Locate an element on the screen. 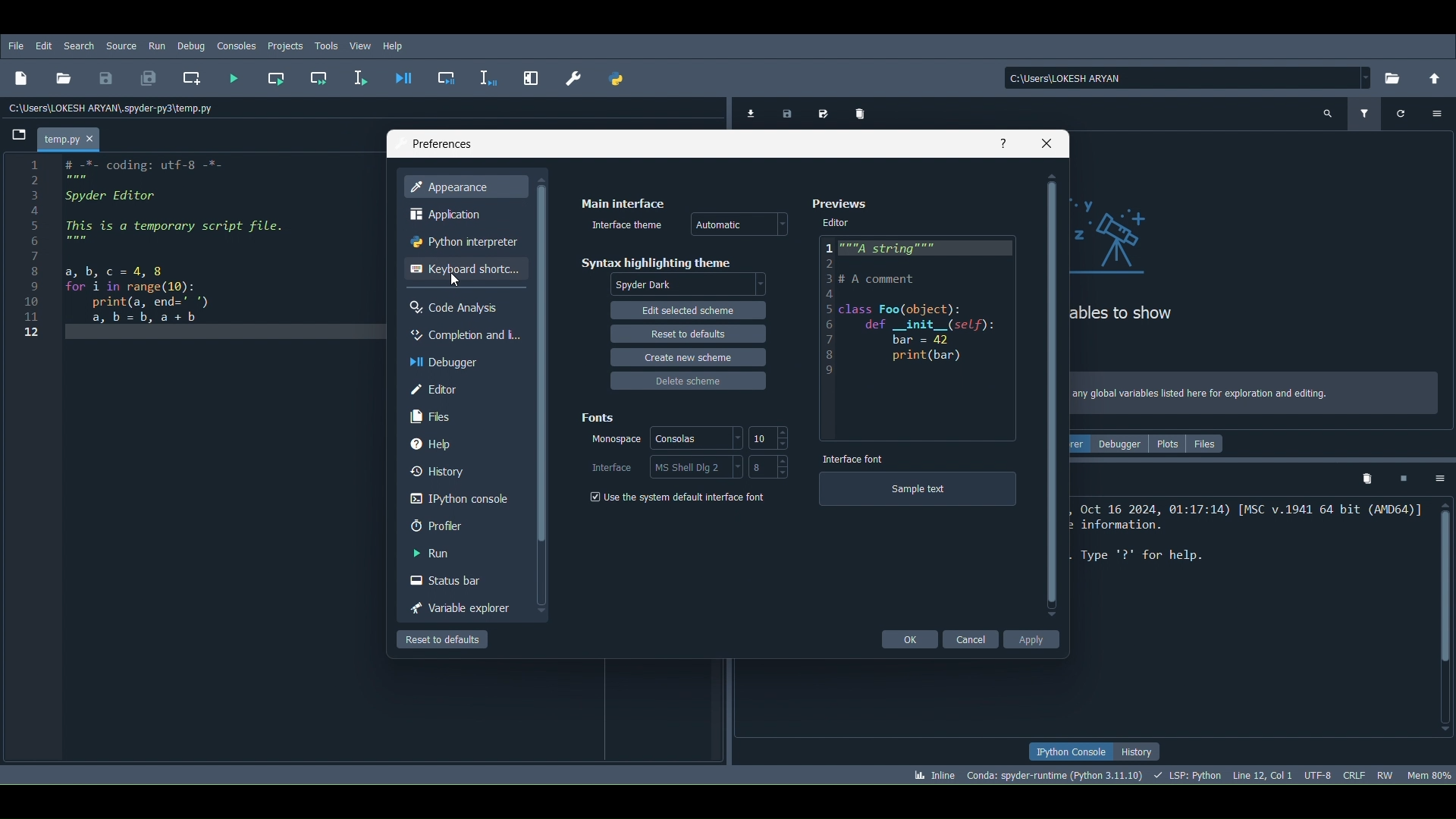 This screenshot has height=819, width=1456. Tools is located at coordinates (329, 45).